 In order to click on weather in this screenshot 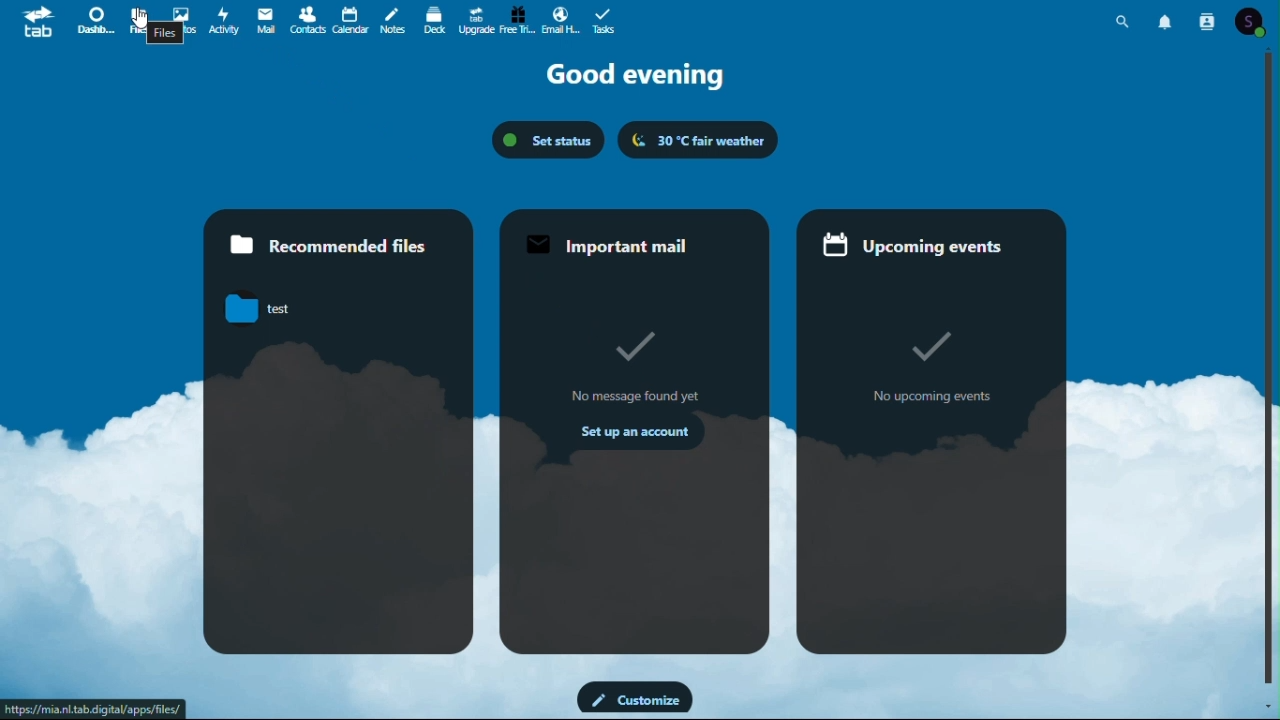, I will do `click(697, 140)`.